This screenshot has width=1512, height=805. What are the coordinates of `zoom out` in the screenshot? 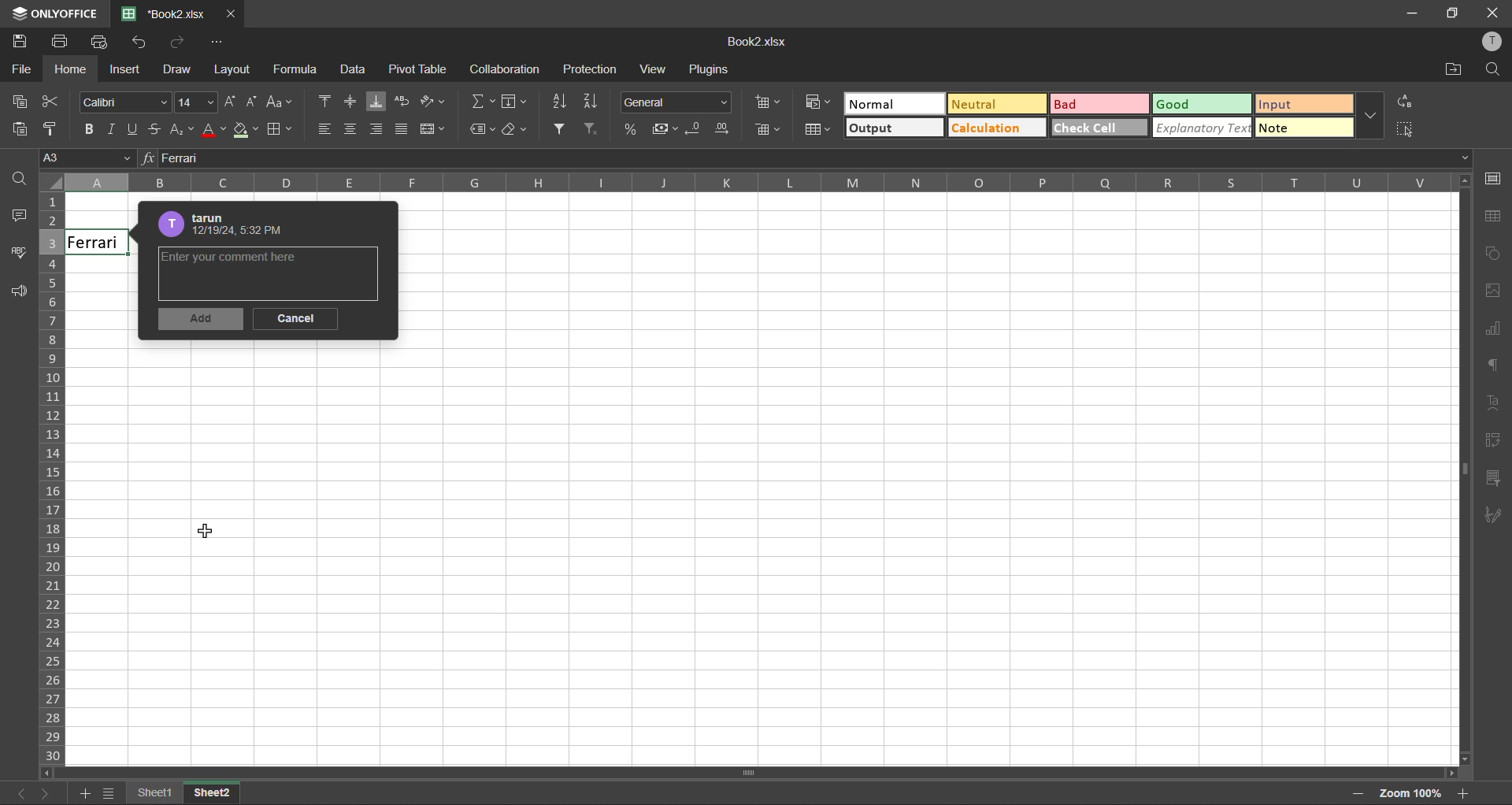 It's located at (1354, 792).